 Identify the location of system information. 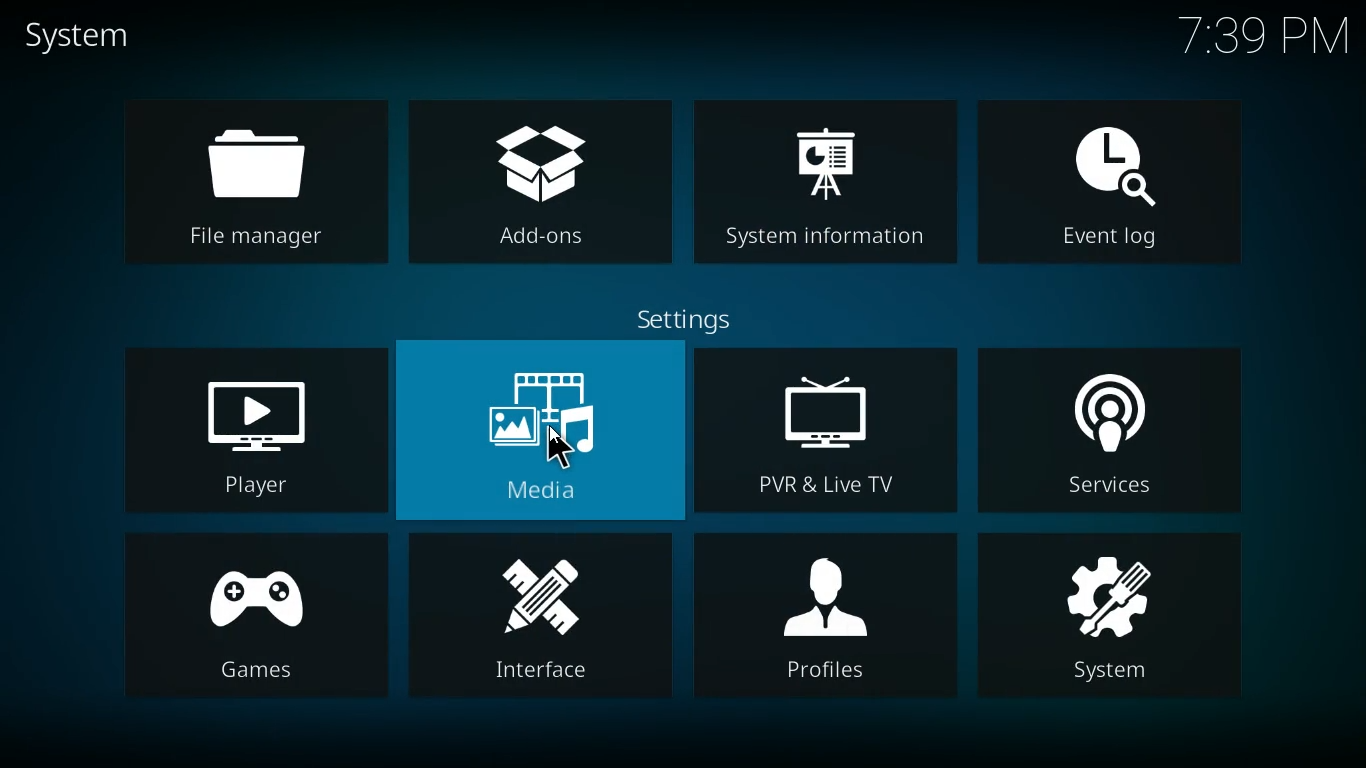
(829, 176).